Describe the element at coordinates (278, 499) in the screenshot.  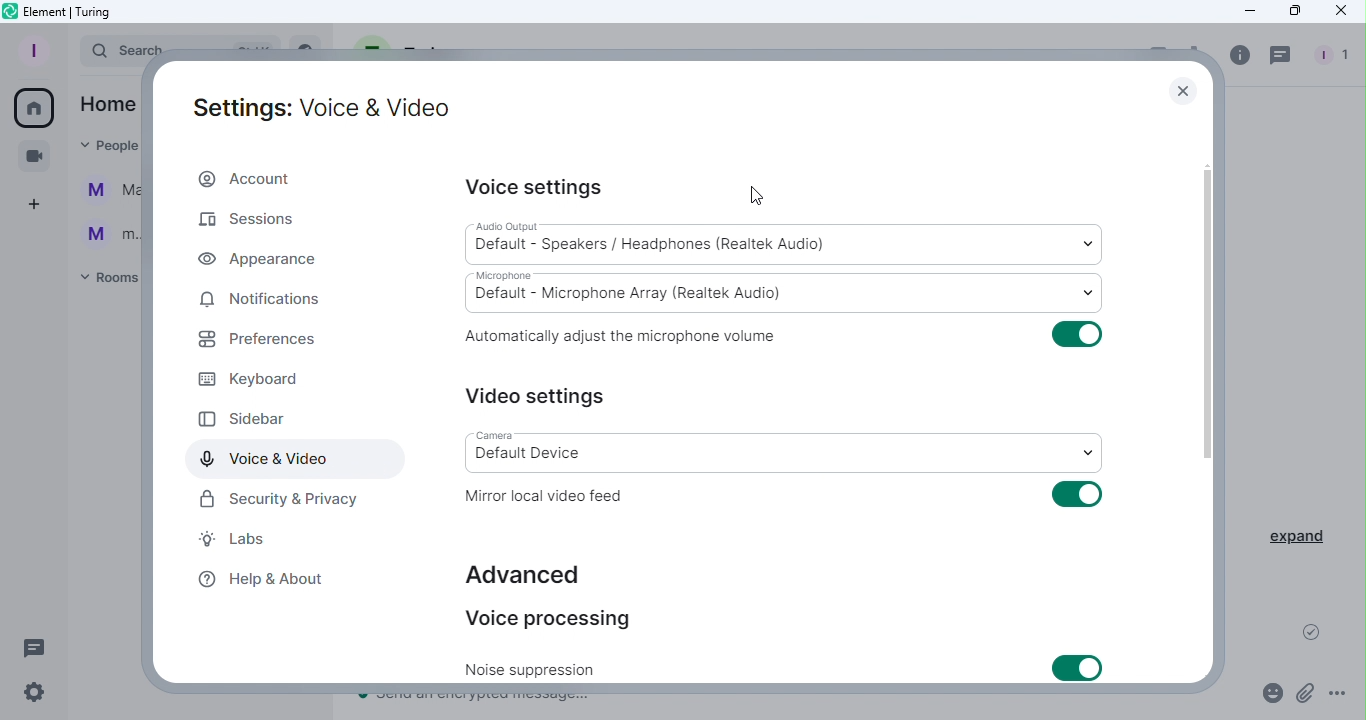
I see `Security and Privacy` at that location.